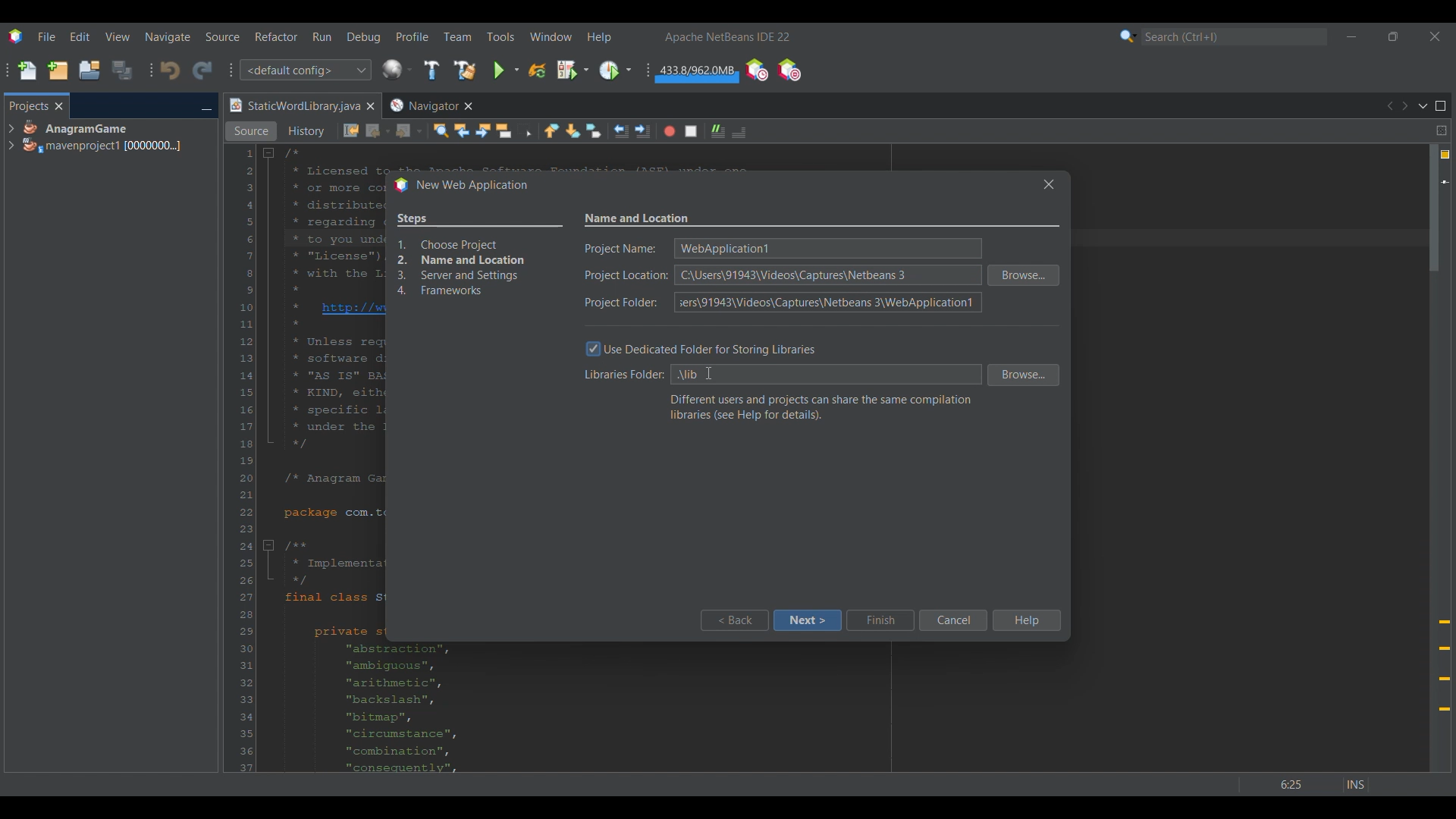 The width and height of the screenshot is (1456, 819). I want to click on Search options, so click(1128, 36).